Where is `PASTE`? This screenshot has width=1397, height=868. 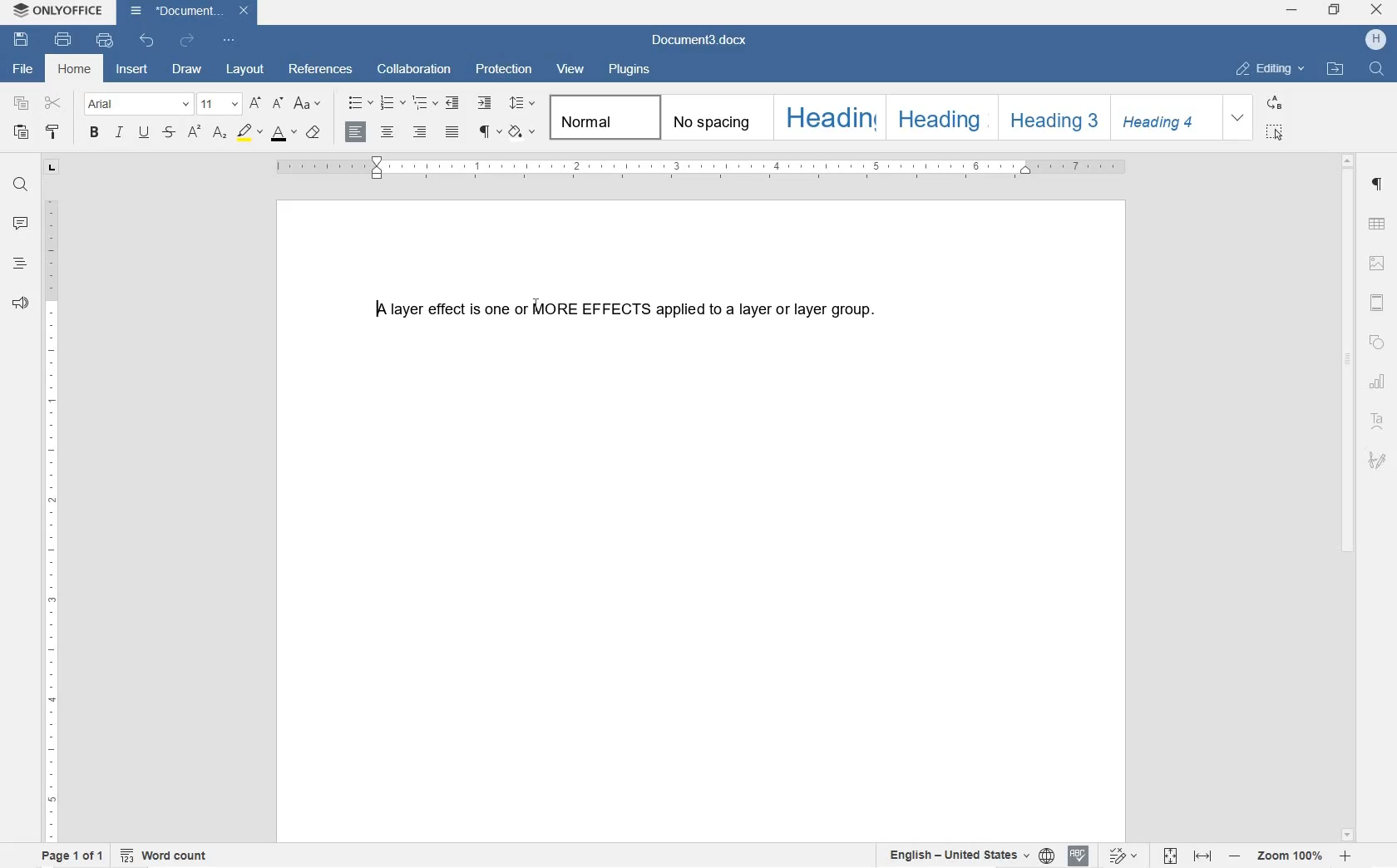
PASTE is located at coordinates (20, 131).